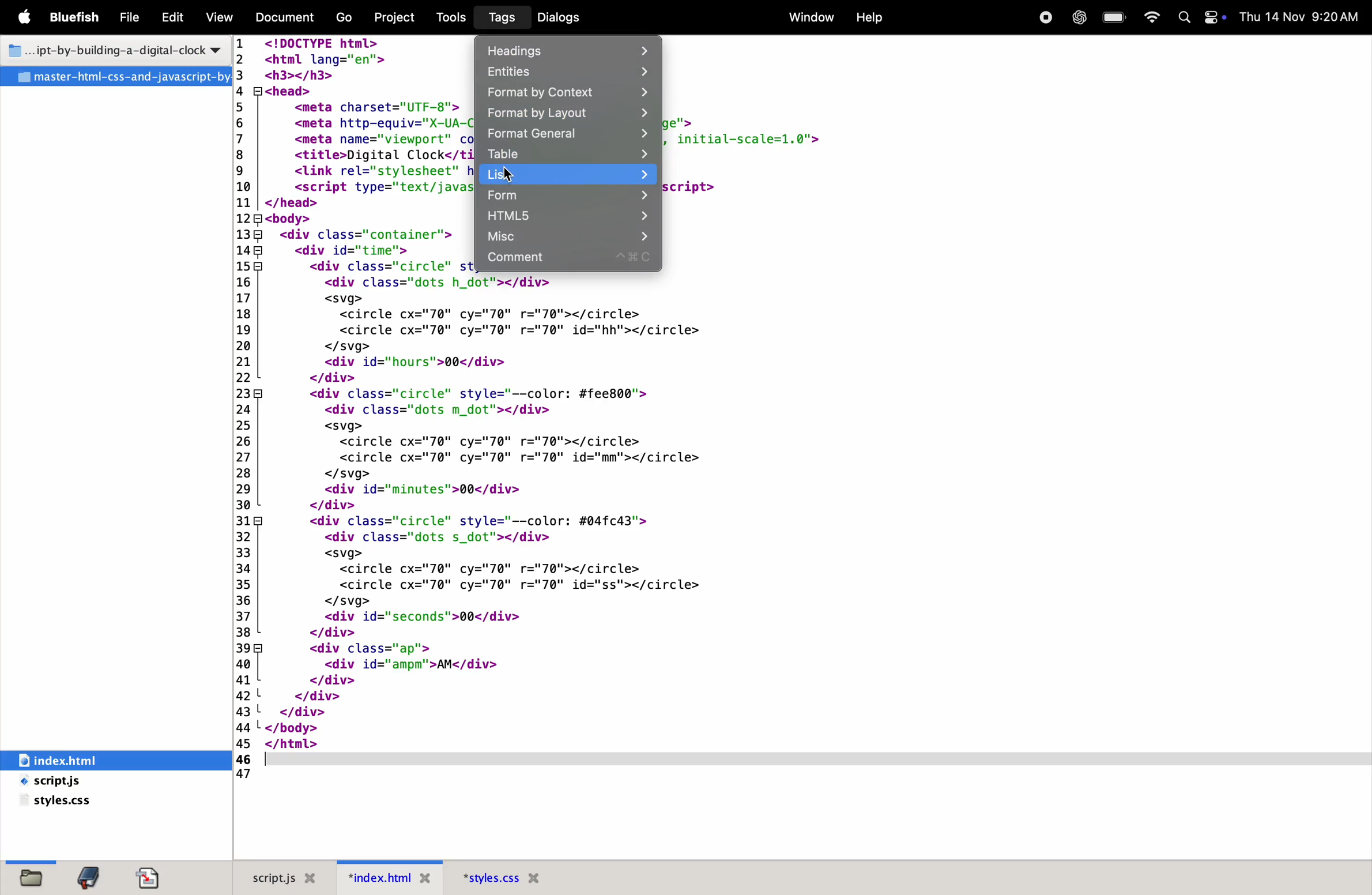  Describe the element at coordinates (569, 153) in the screenshot. I see `table` at that location.